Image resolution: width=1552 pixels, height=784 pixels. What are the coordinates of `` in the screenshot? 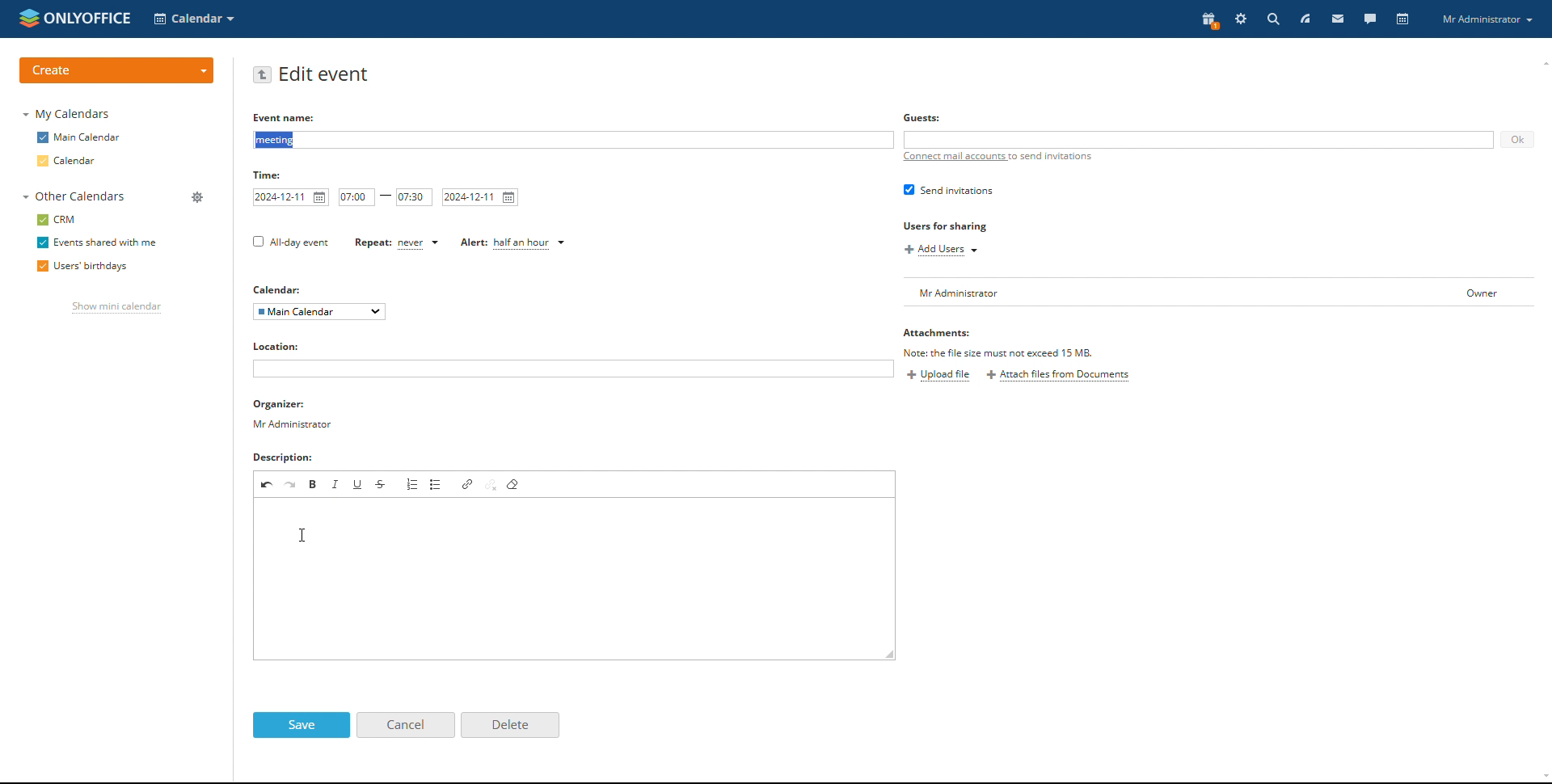 It's located at (922, 117).